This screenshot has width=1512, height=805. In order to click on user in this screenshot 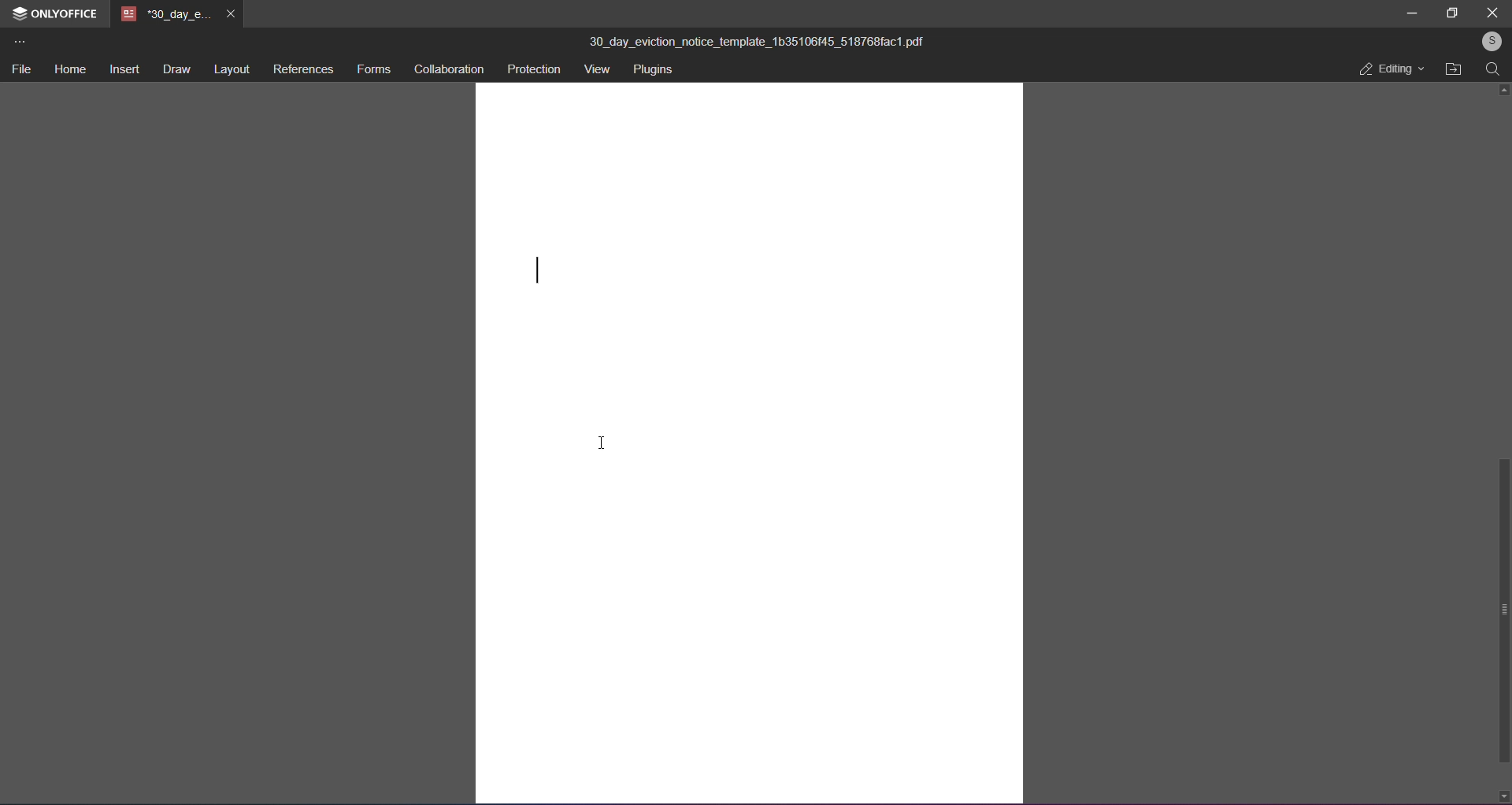, I will do `click(1488, 43)`.